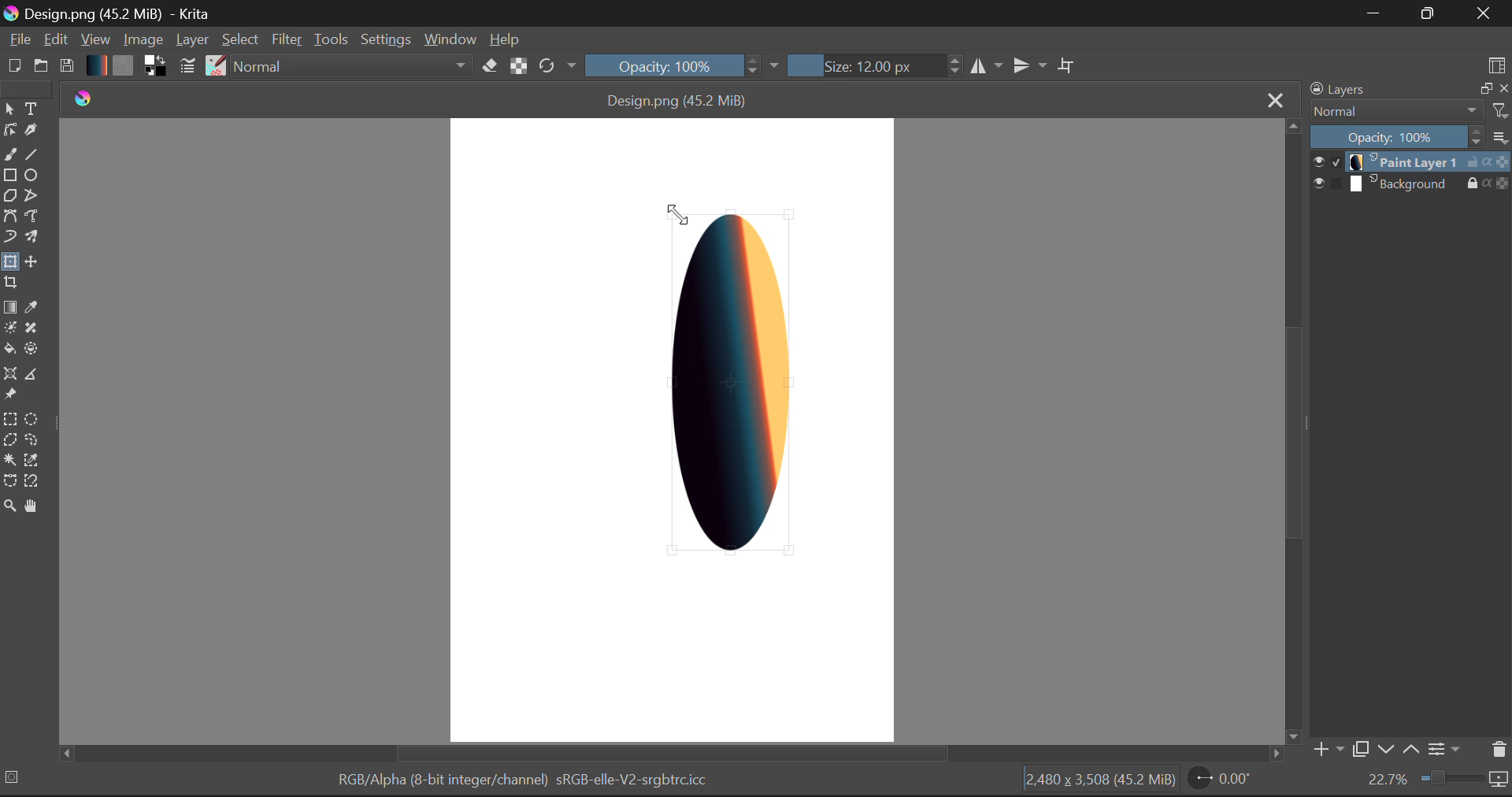 This screenshot has width=1512, height=797. Describe the element at coordinates (30, 349) in the screenshot. I see `Enclose and Fill` at that location.